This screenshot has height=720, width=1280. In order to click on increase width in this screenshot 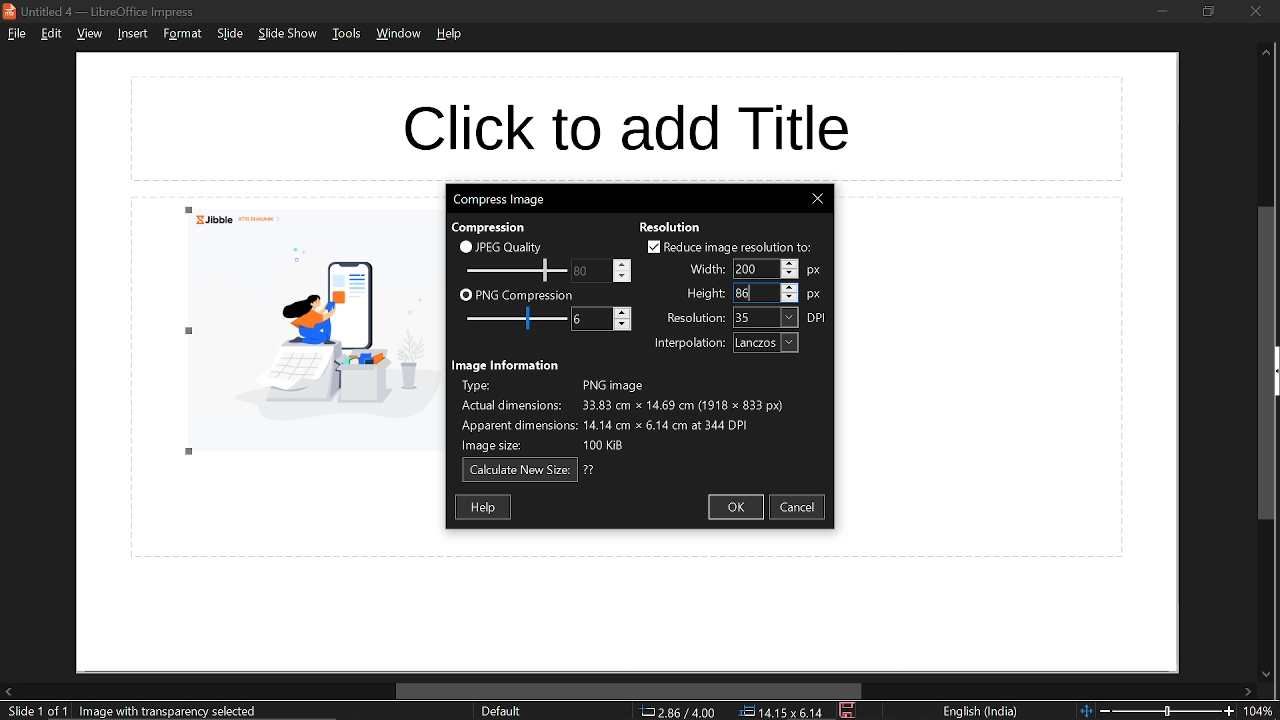, I will do `click(789, 262)`.